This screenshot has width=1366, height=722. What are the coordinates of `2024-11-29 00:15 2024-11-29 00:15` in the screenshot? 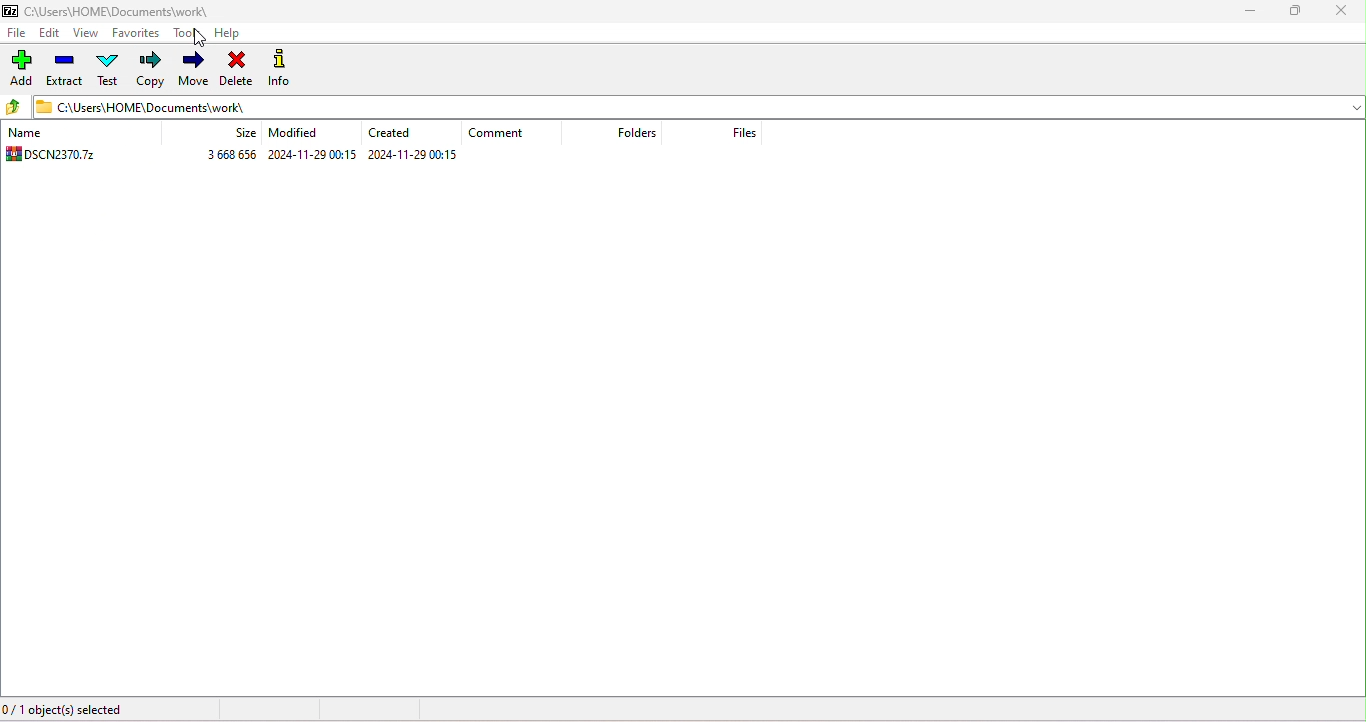 It's located at (367, 158).